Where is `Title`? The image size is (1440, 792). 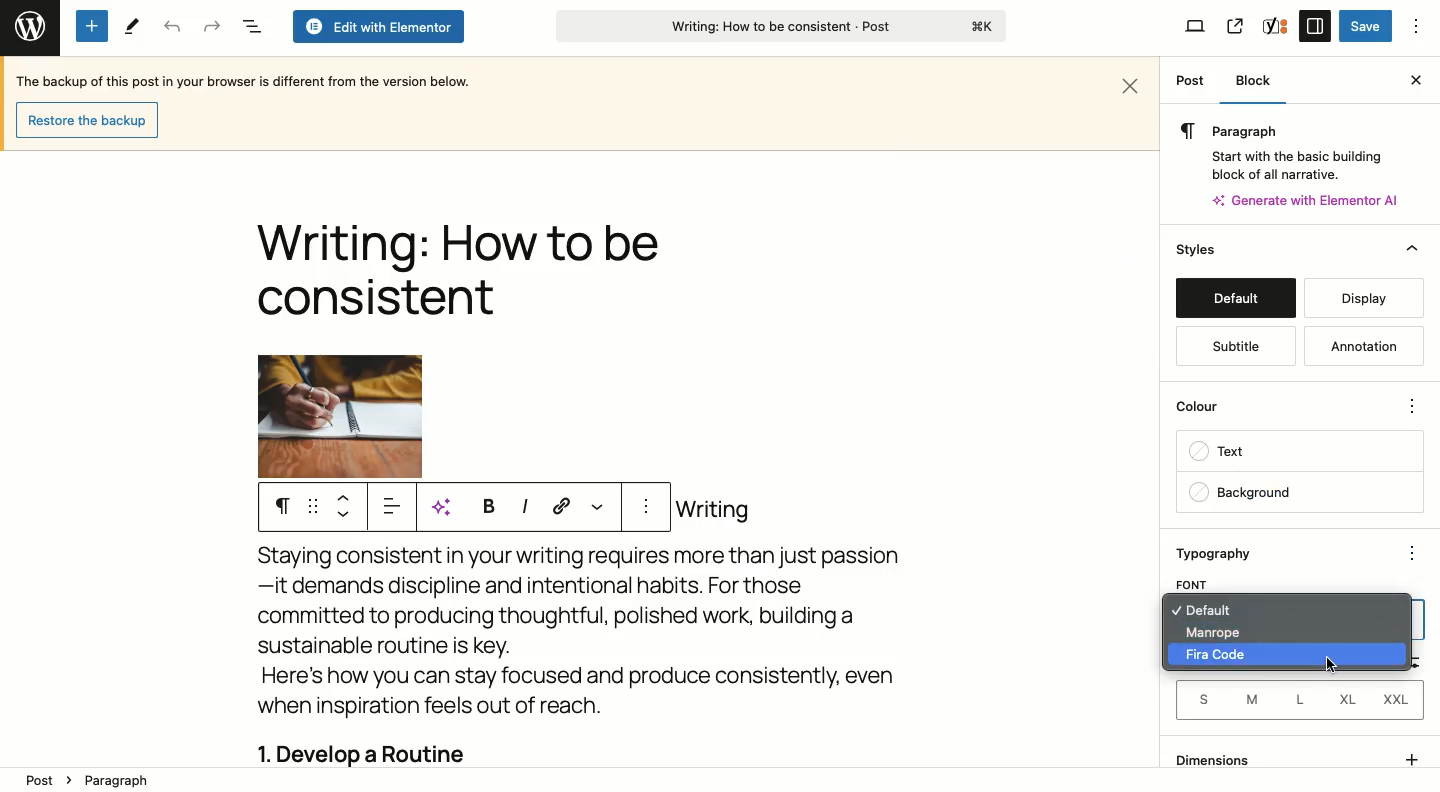 Title is located at coordinates (457, 274).